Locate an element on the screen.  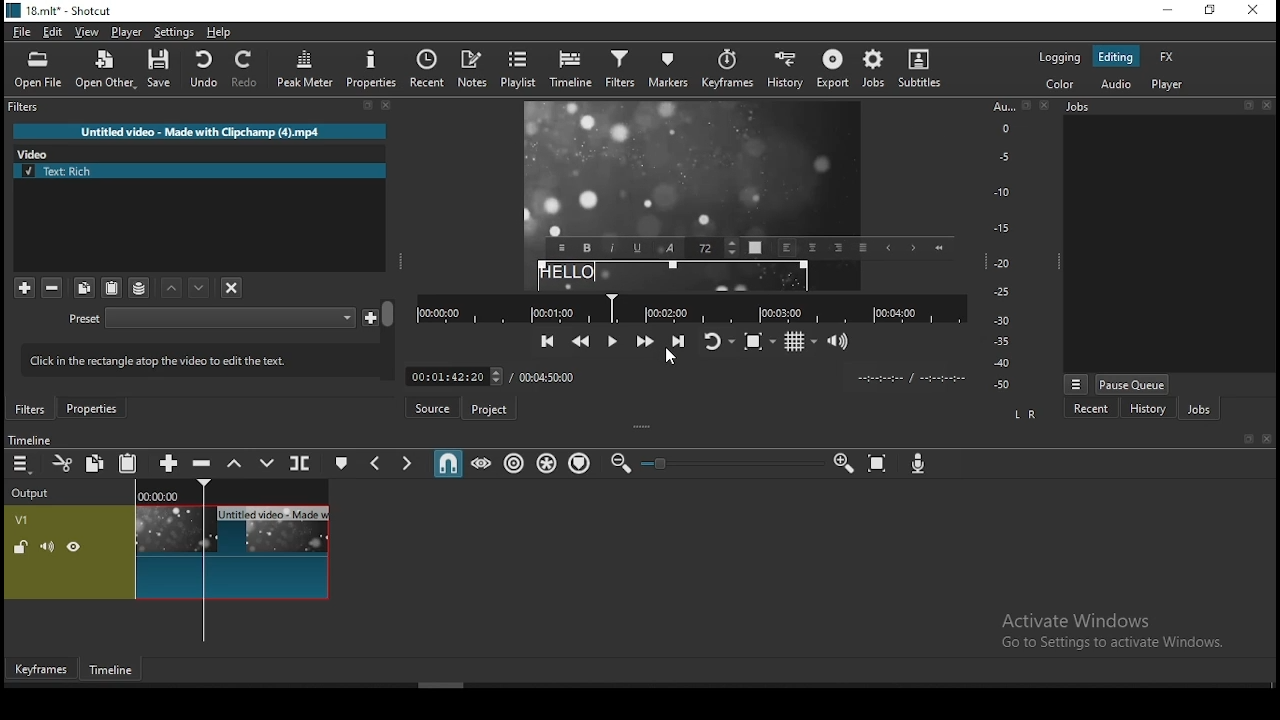
playlist is located at coordinates (519, 70).